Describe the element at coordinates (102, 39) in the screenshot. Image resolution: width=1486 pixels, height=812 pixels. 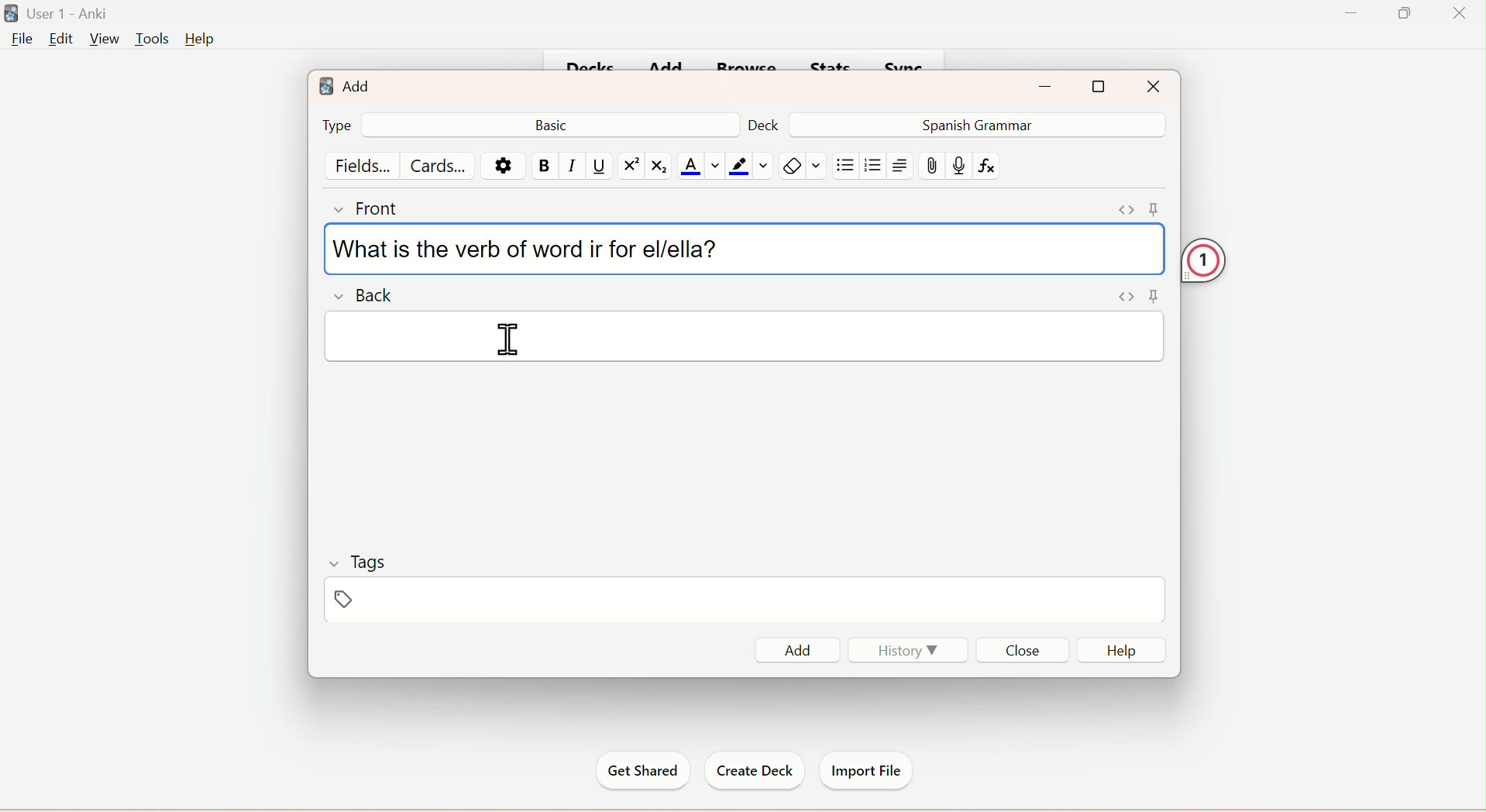
I see `View` at that location.